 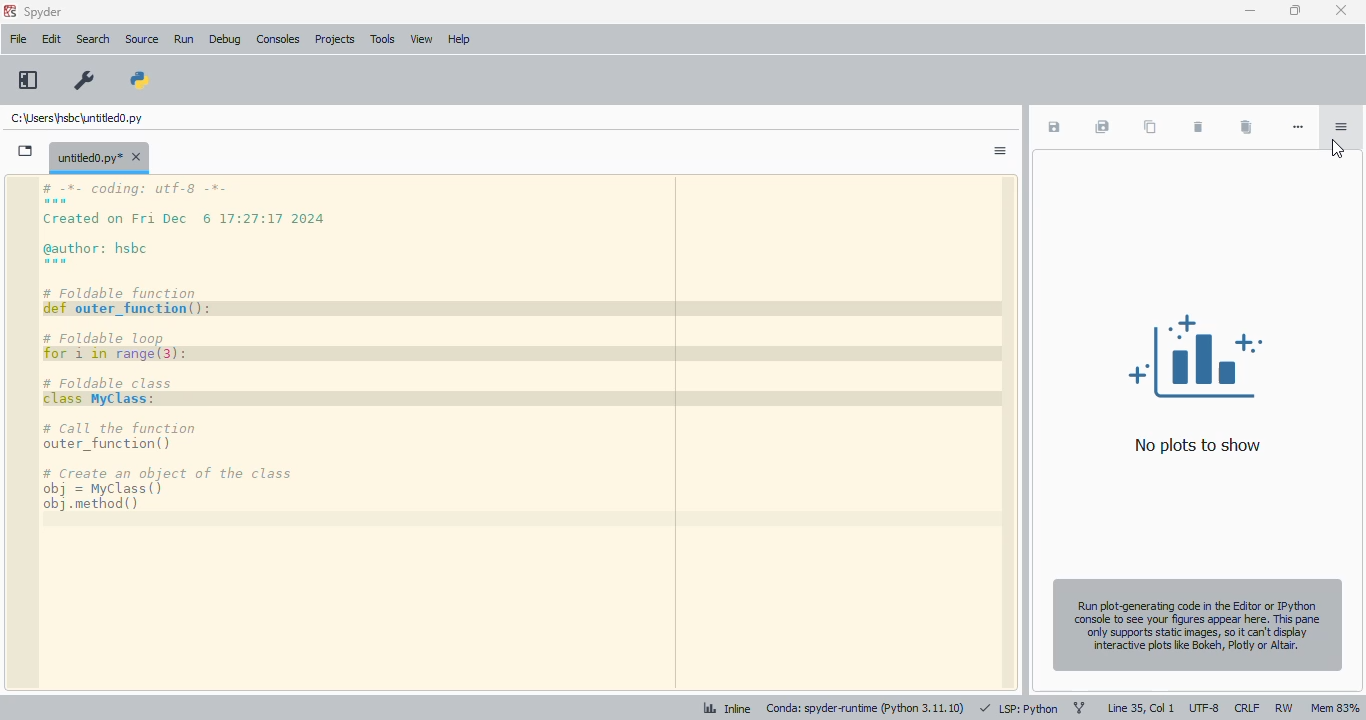 What do you see at coordinates (1299, 127) in the screenshot?
I see `more` at bounding box center [1299, 127].